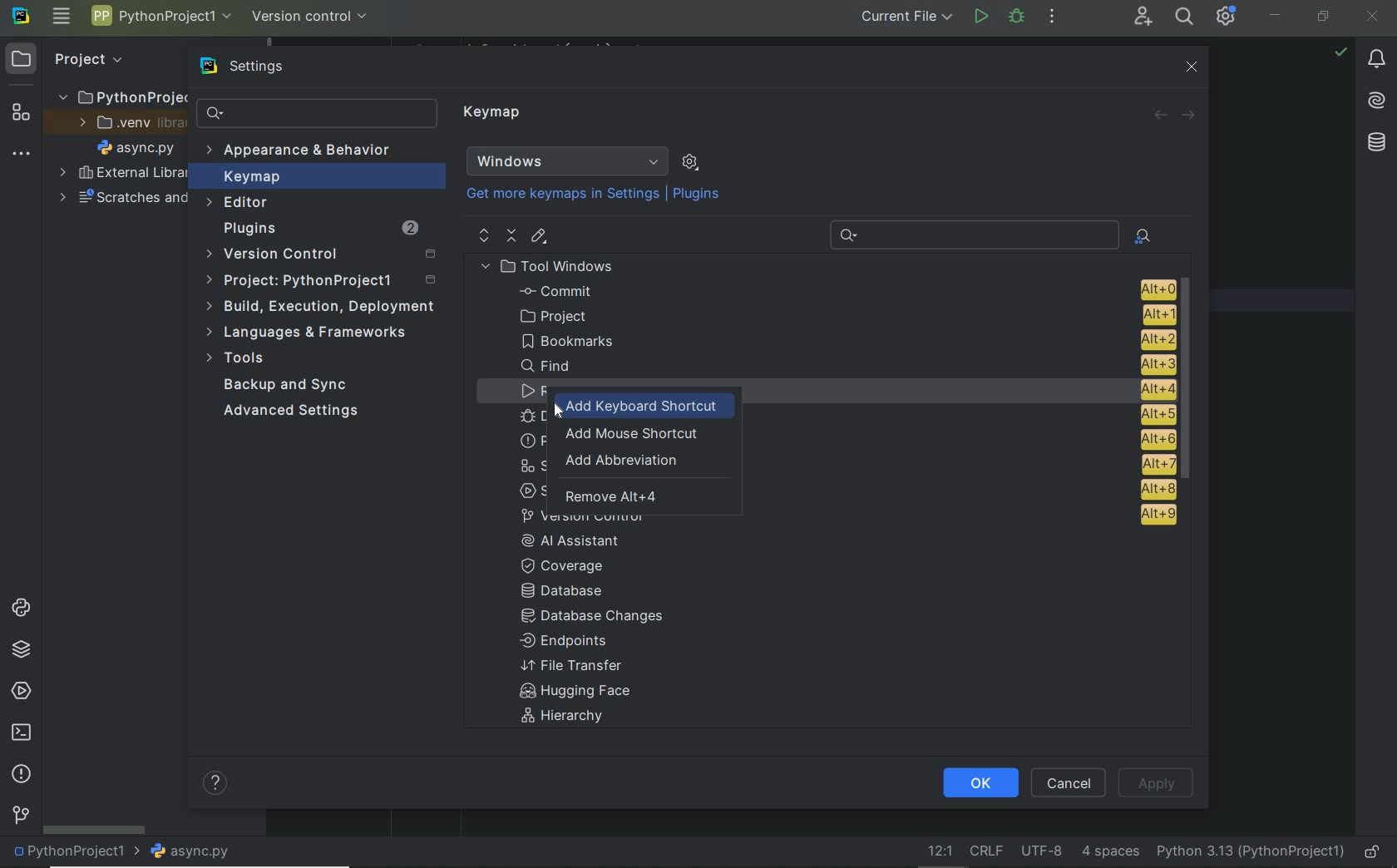 The height and width of the screenshot is (868, 1397). Describe the element at coordinates (571, 718) in the screenshot. I see `Hierarchy` at that location.